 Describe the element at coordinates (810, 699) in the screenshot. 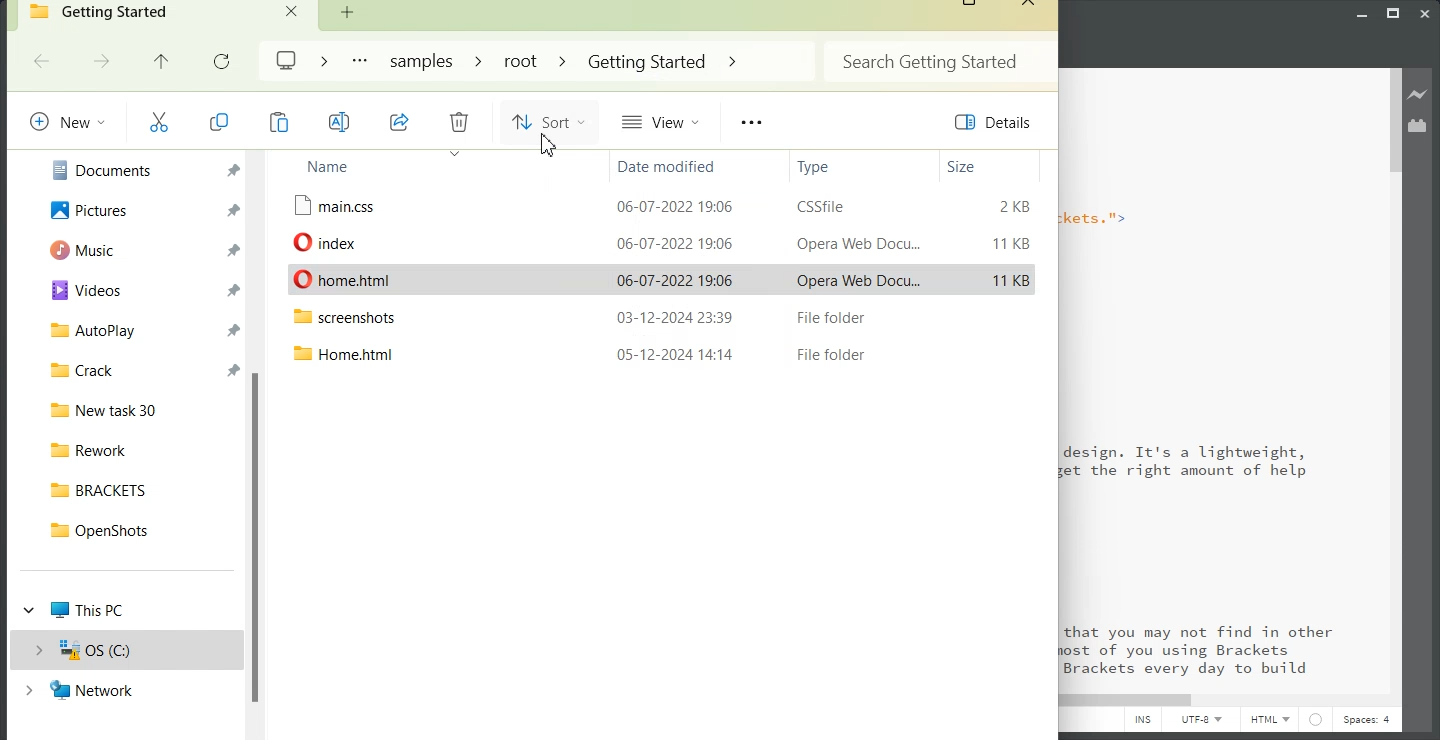

I see `Horizontal Scroll bar ` at that location.